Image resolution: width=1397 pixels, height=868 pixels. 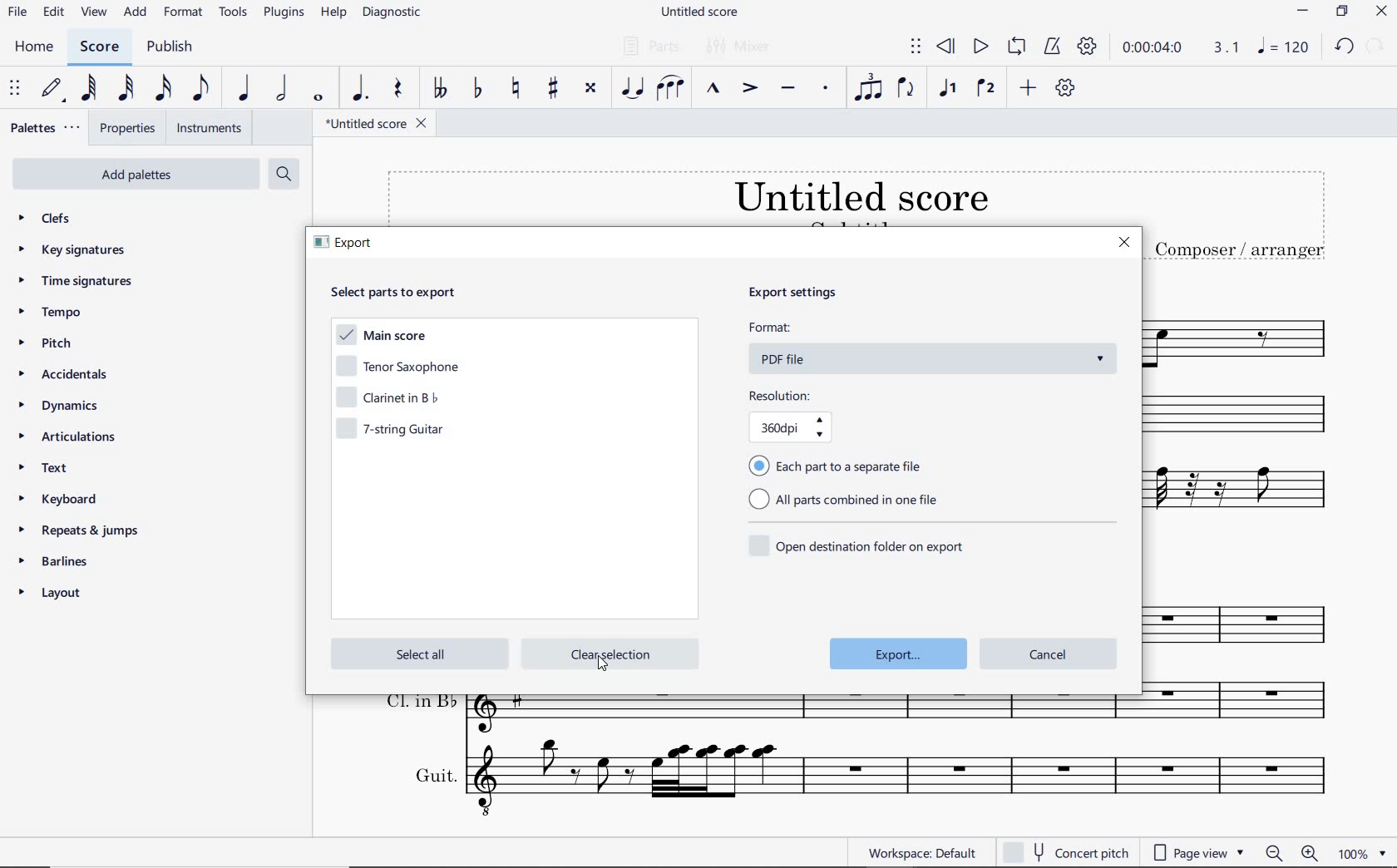 What do you see at coordinates (1381, 11) in the screenshot?
I see `CLOSE` at bounding box center [1381, 11].